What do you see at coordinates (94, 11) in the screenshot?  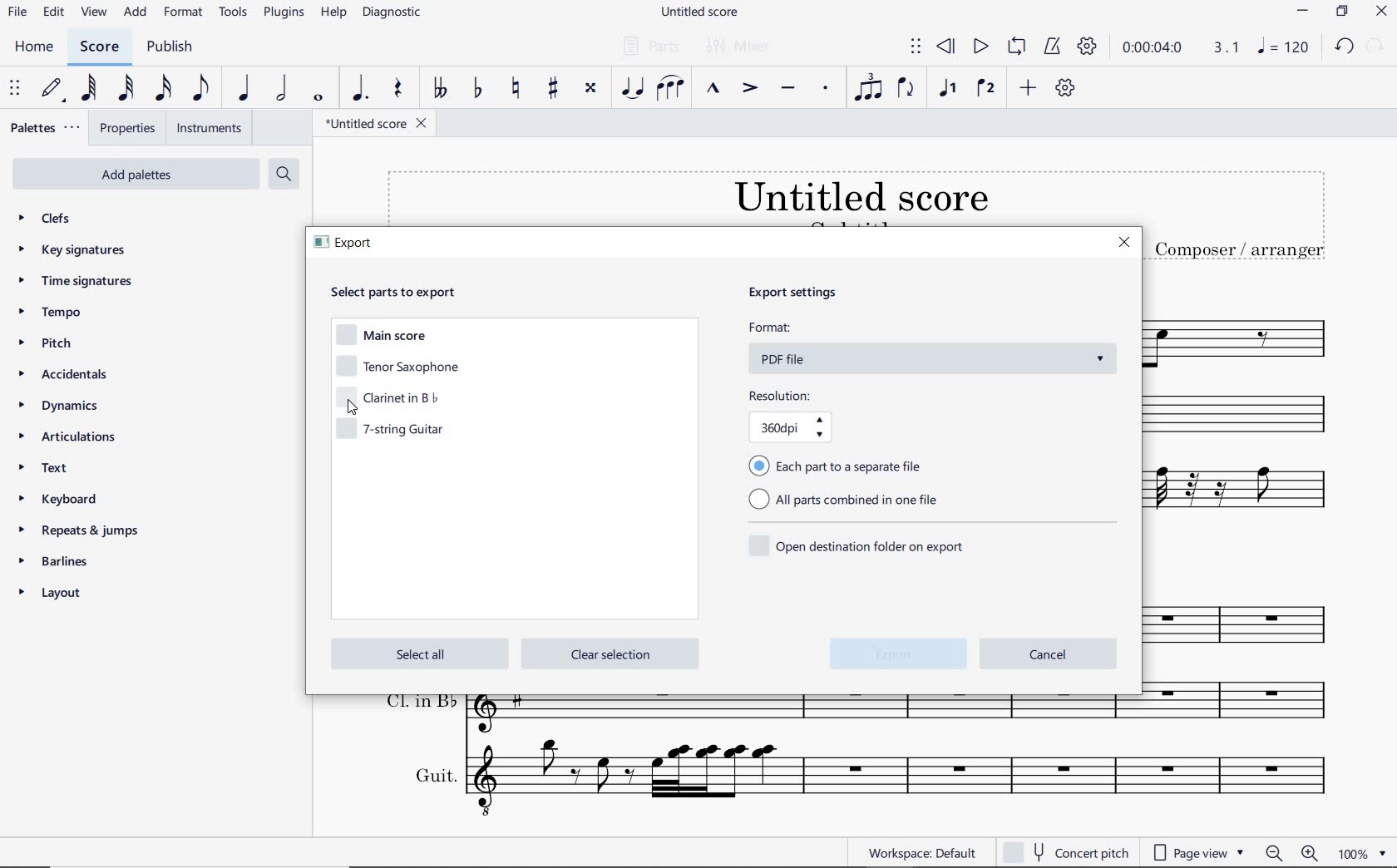 I see `VIEW` at bounding box center [94, 11].